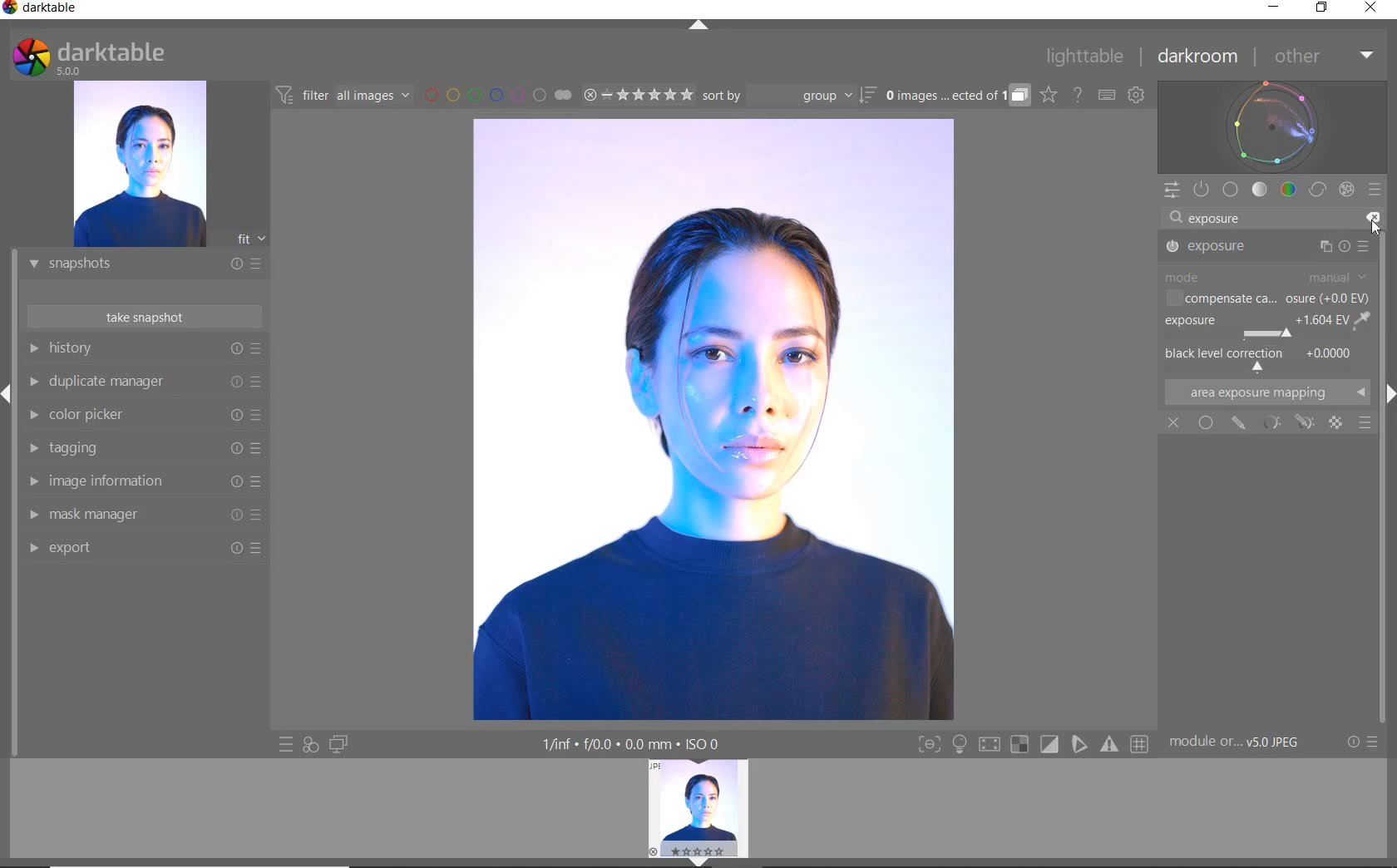 Image resolution: width=1397 pixels, height=868 pixels. Describe the element at coordinates (1319, 191) in the screenshot. I see `CORRECT` at that location.